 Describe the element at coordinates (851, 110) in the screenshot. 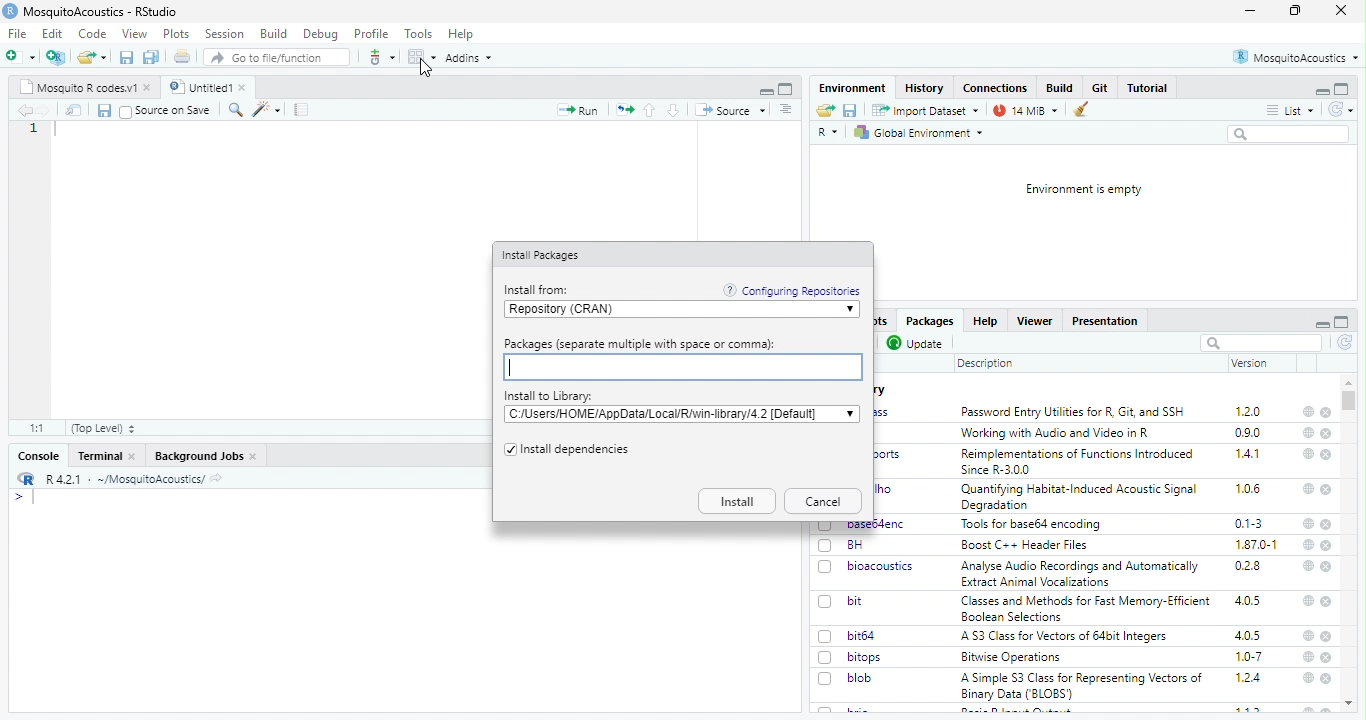

I see `save` at that location.